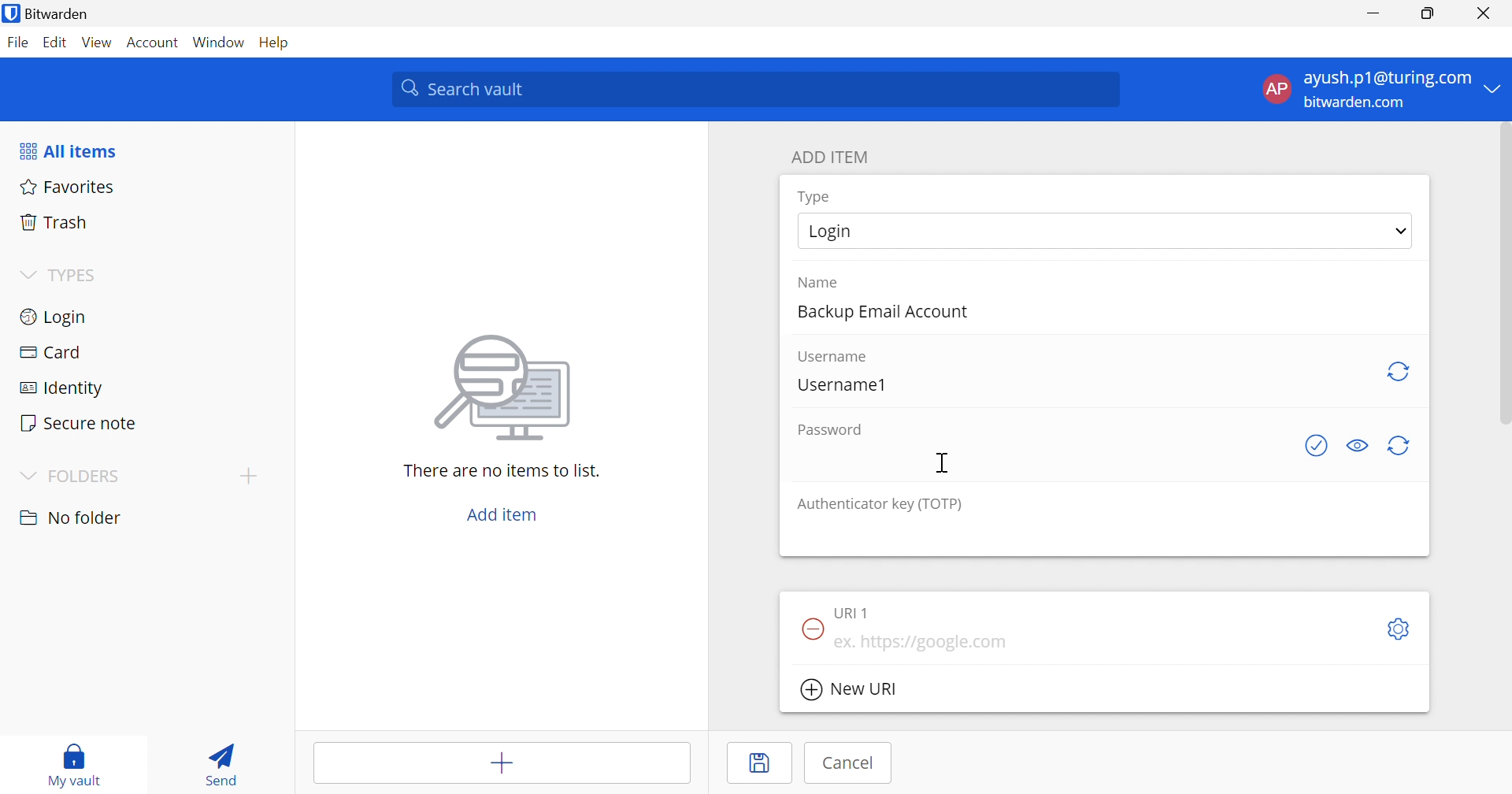 This screenshot has height=794, width=1512. Describe the element at coordinates (503, 391) in the screenshot. I see `image` at that location.